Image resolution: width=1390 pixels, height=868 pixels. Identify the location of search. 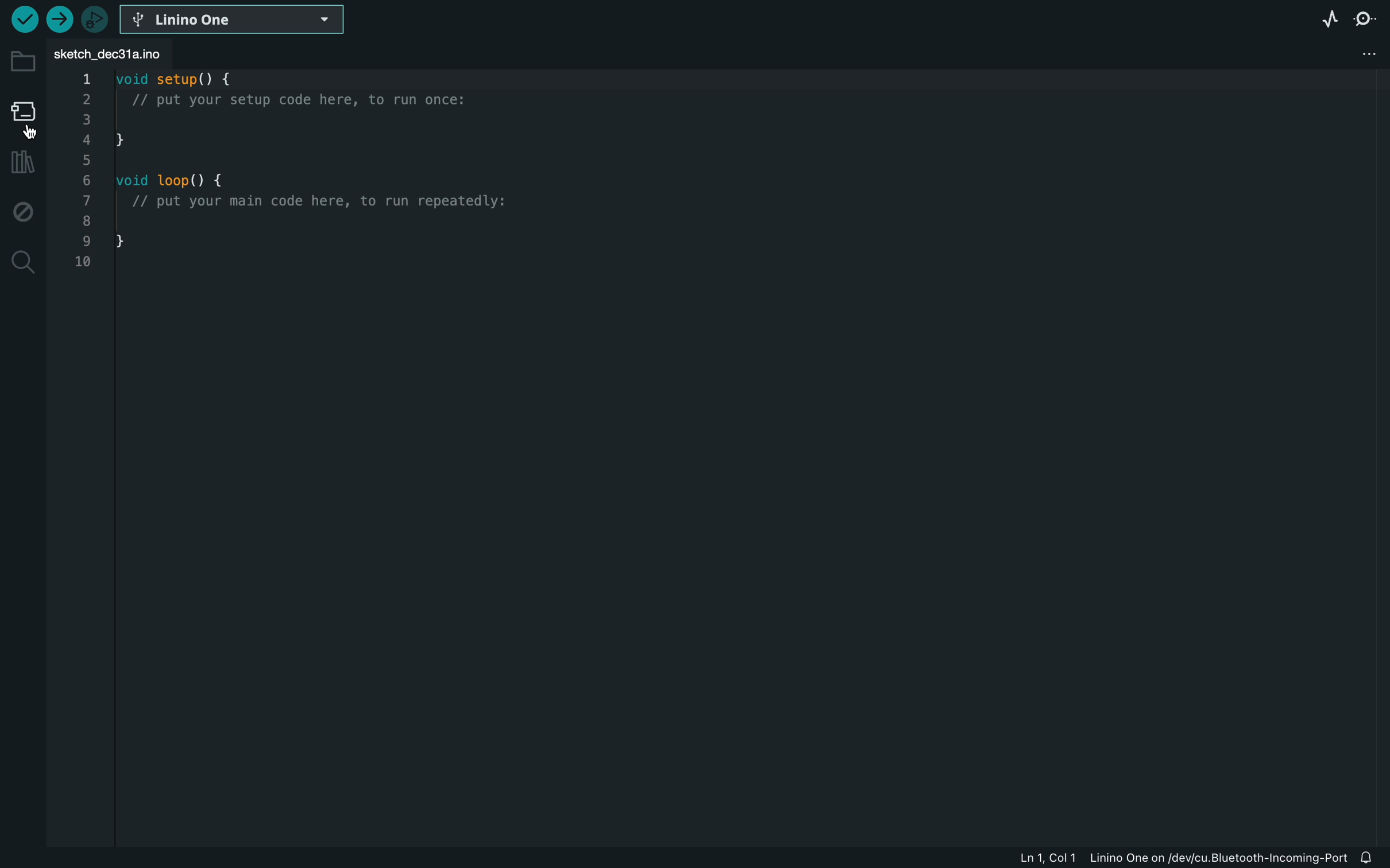
(21, 263).